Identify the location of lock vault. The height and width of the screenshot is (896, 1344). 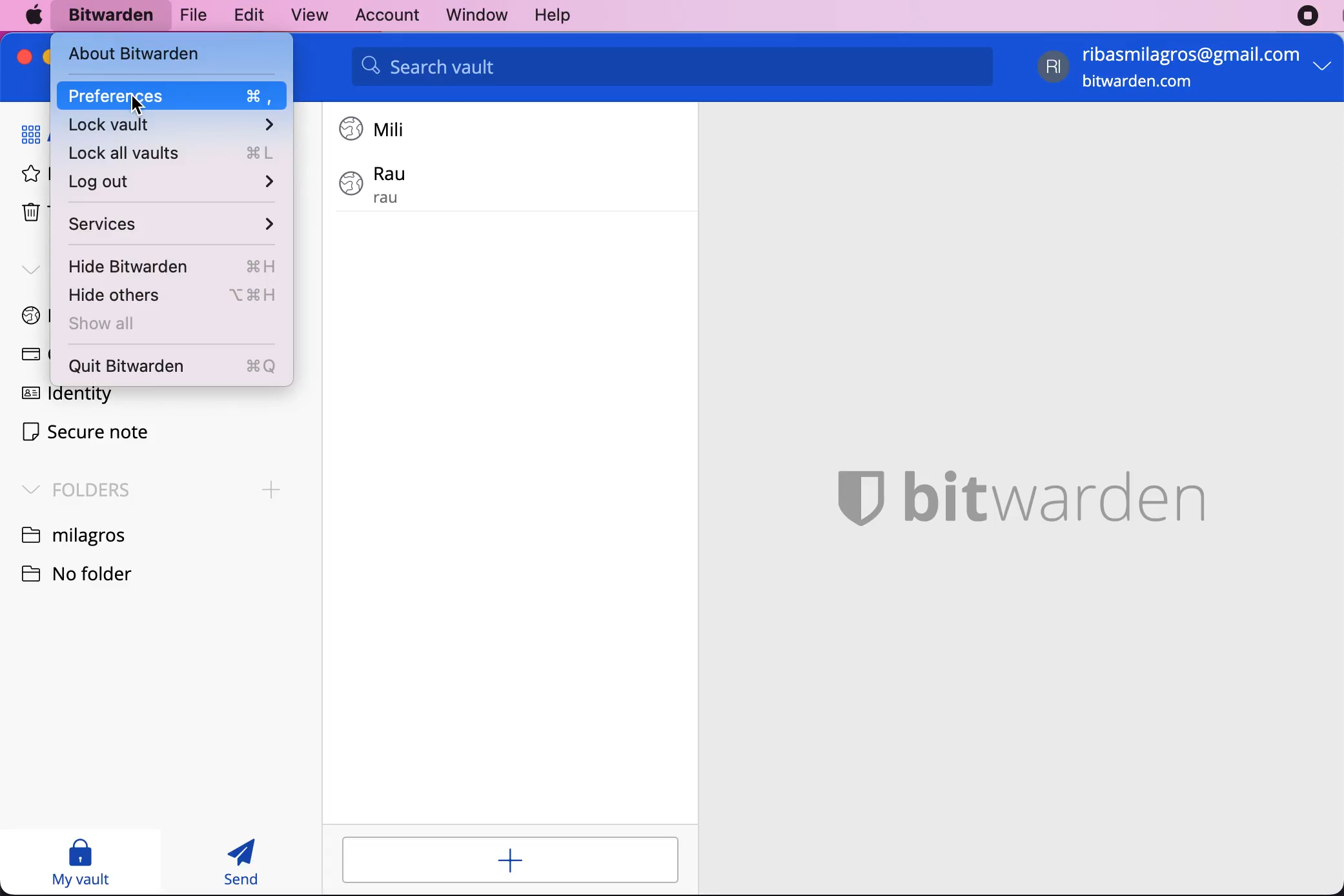
(176, 126).